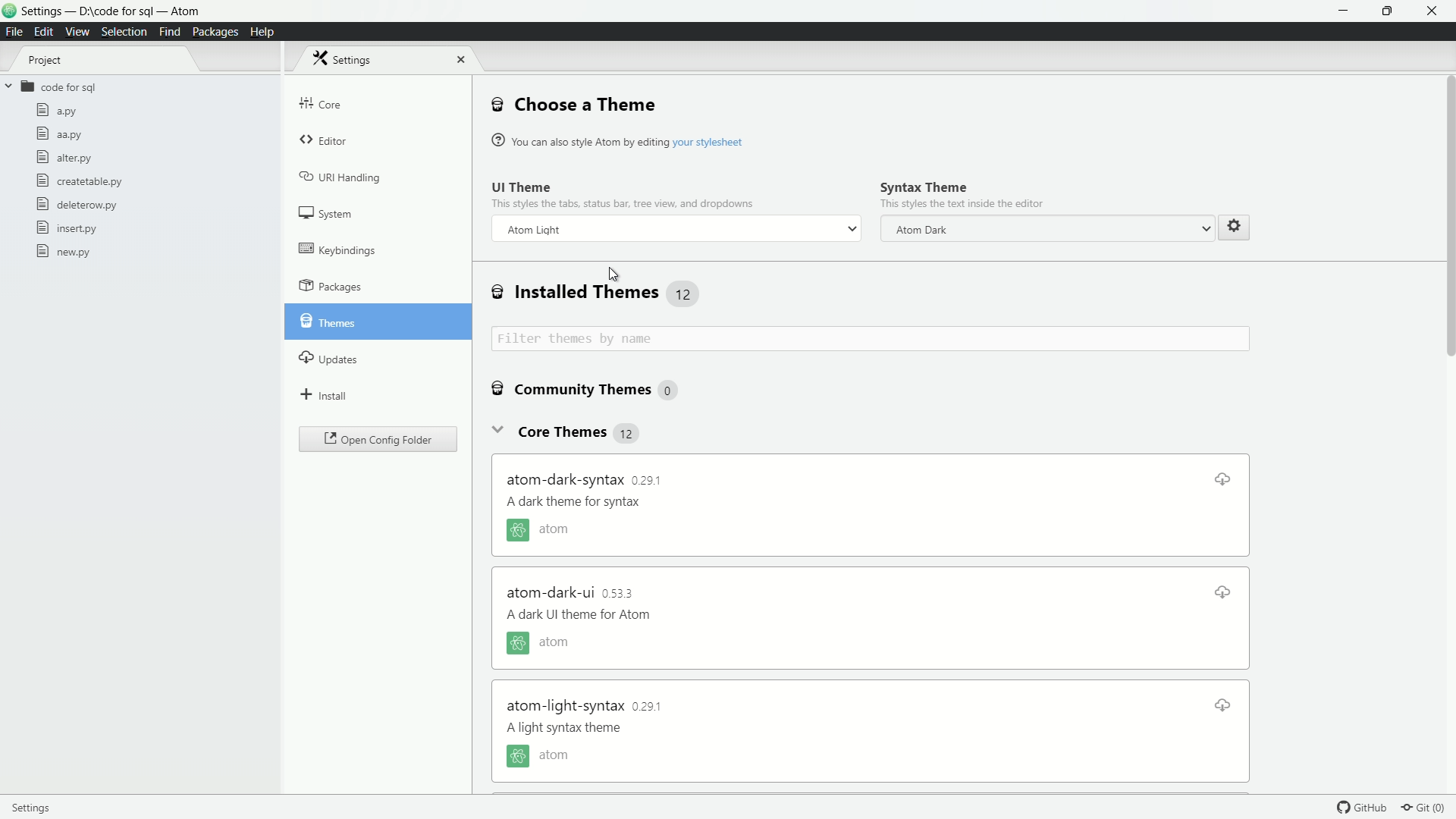 The height and width of the screenshot is (819, 1456). Describe the element at coordinates (1447, 370) in the screenshot. I see `scroll bar` at that location.